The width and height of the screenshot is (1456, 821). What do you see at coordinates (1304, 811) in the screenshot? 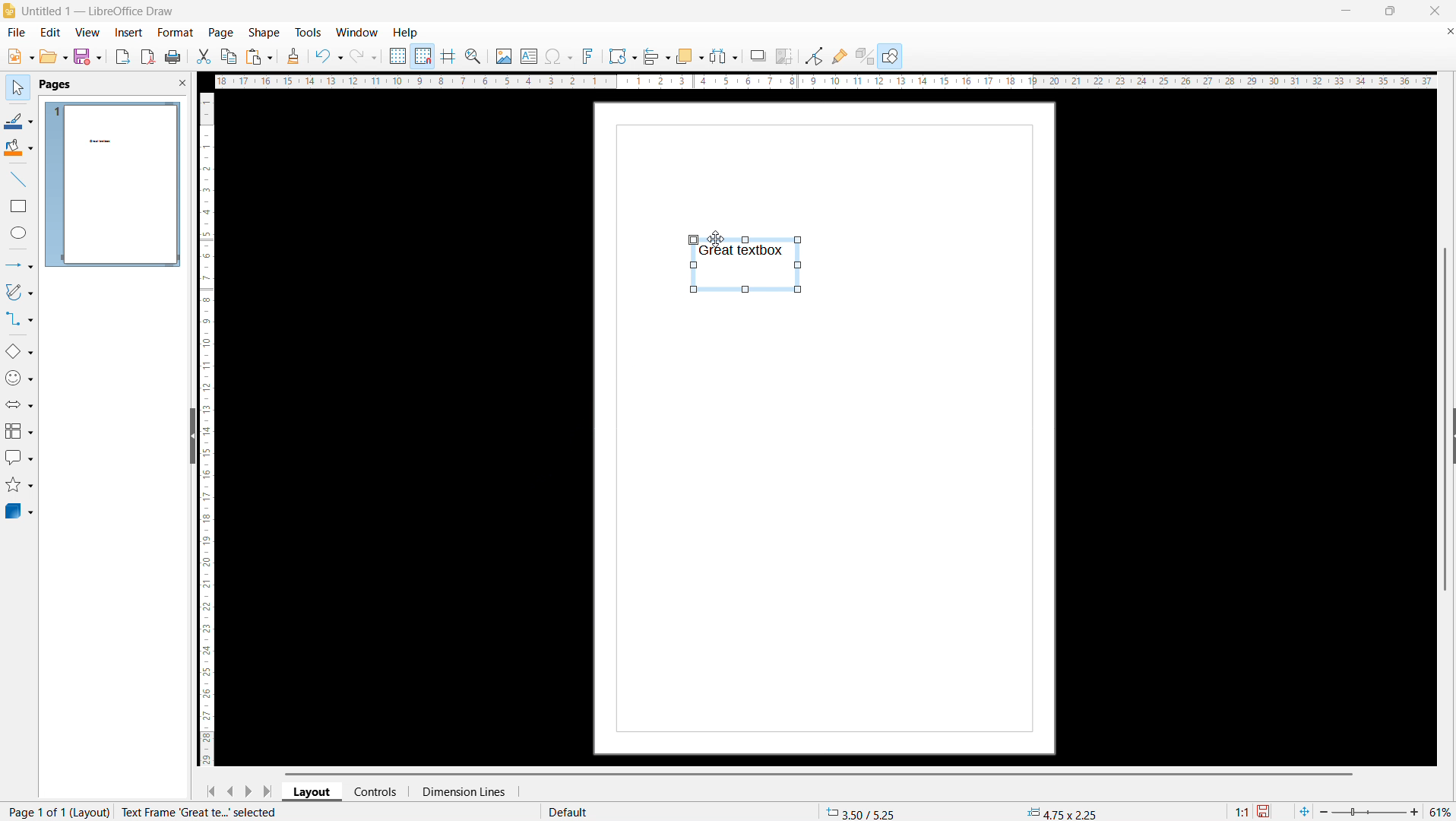
I see `fit to page ` at bounding box center [1304, 811].